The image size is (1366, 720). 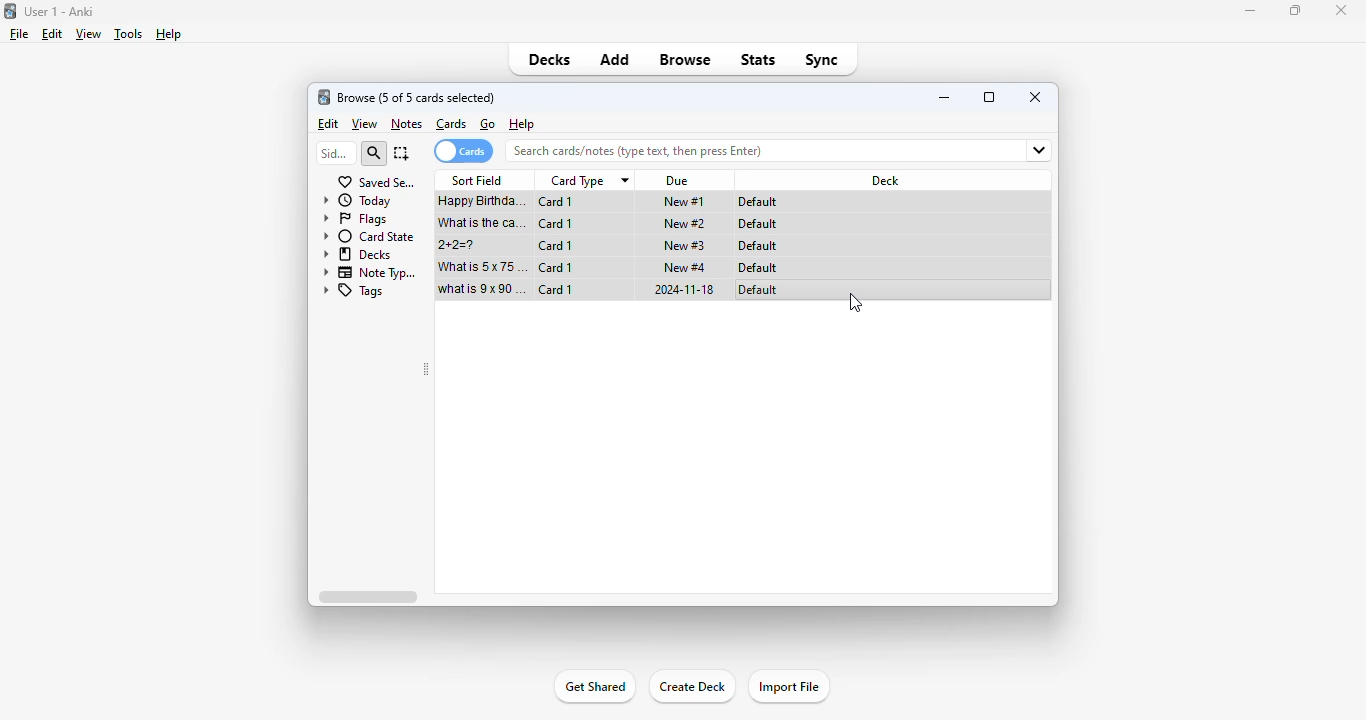 What do you see at coordinates (482, 289) in the screenshot?
I see `what is 9x90=?` at bounding box center [482, 289].